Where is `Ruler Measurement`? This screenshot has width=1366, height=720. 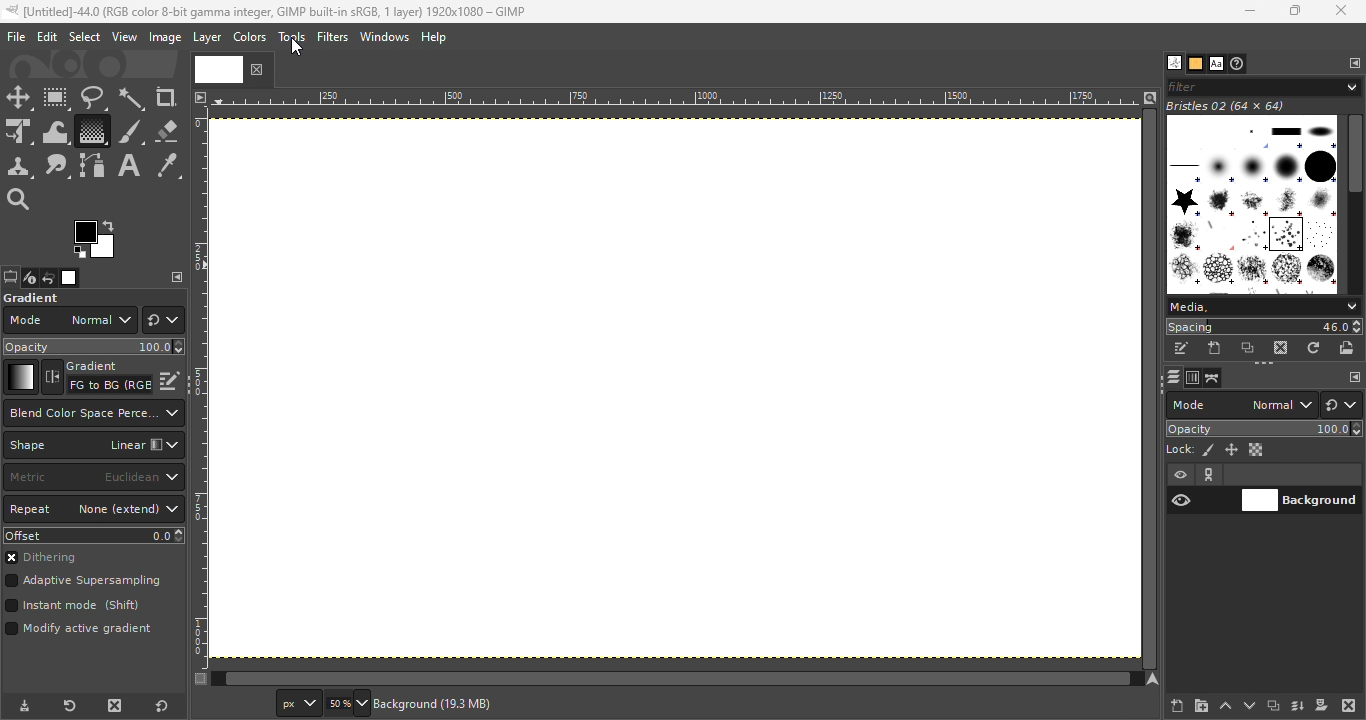 Ruler Measurement is located at coordinates (677, 97).